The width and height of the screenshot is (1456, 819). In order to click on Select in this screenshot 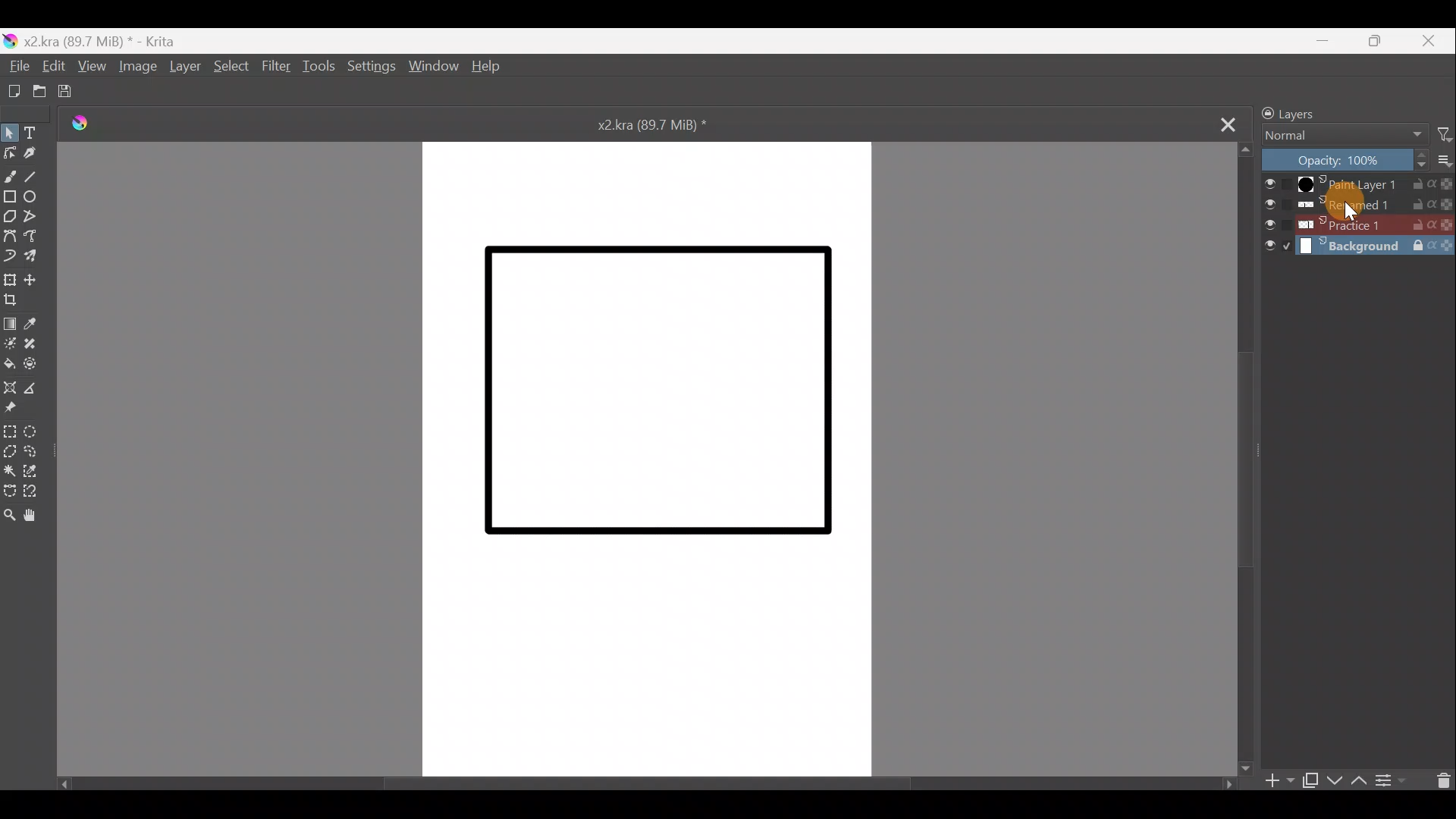, I will do `click(229, 66)`.